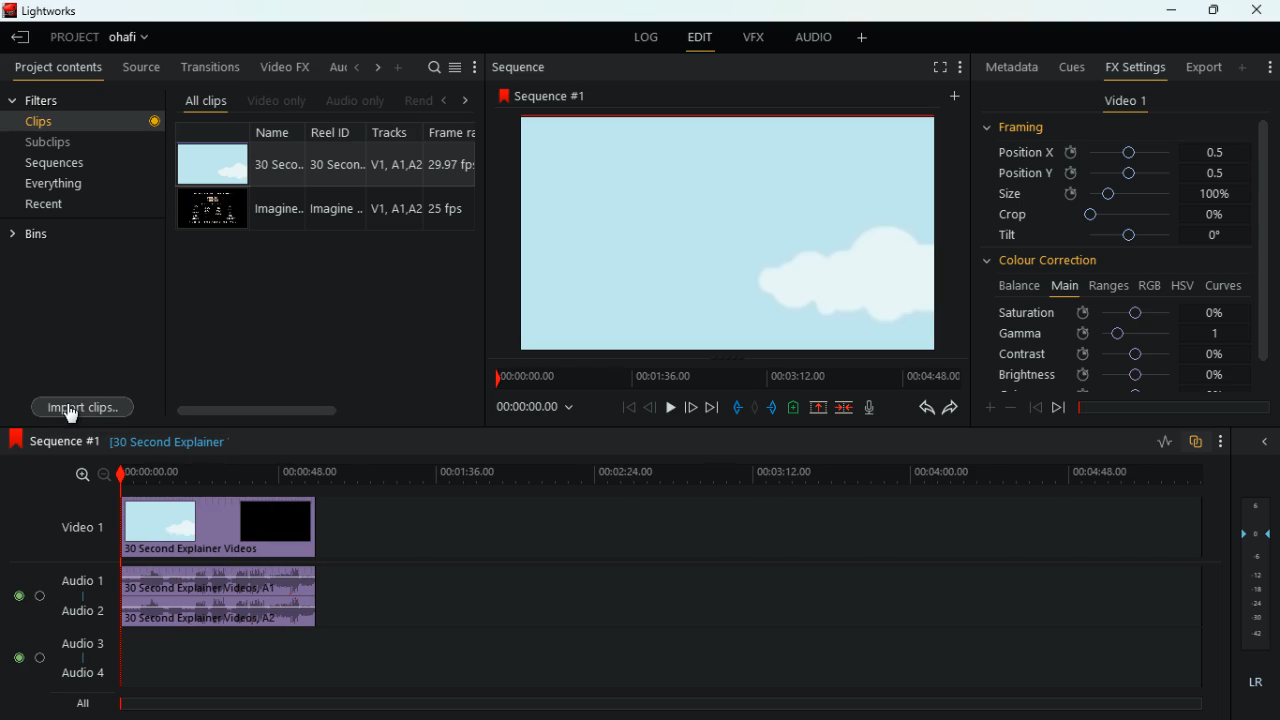 This screenshot has height=720, width=1280. I want to click on gamma, so click(1118, 332).